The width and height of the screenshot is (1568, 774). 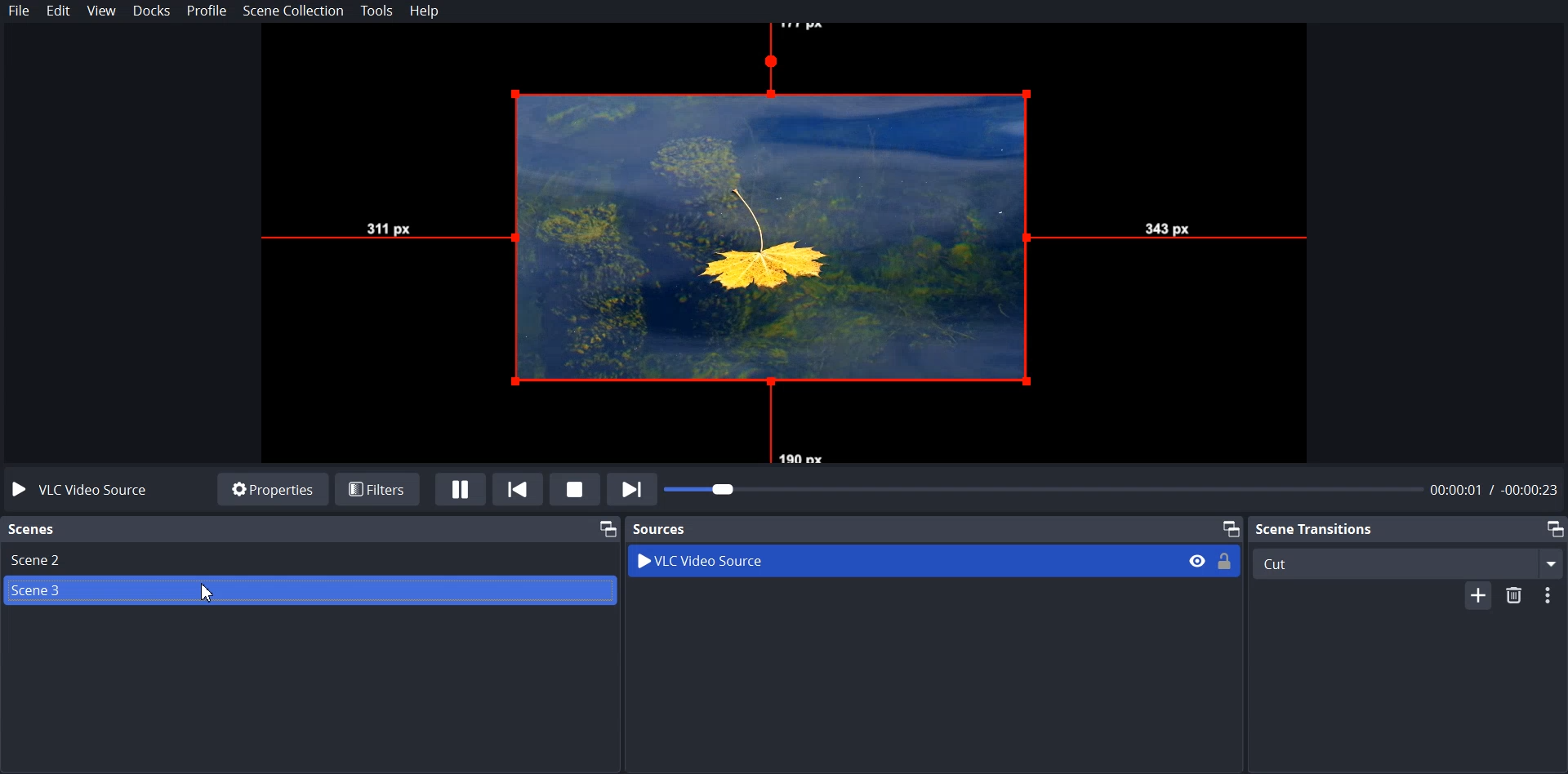 What do you see at coordinates (1230, 527) in the screenshot?
I see `Maximize window` at bounding box center [1230, 527].